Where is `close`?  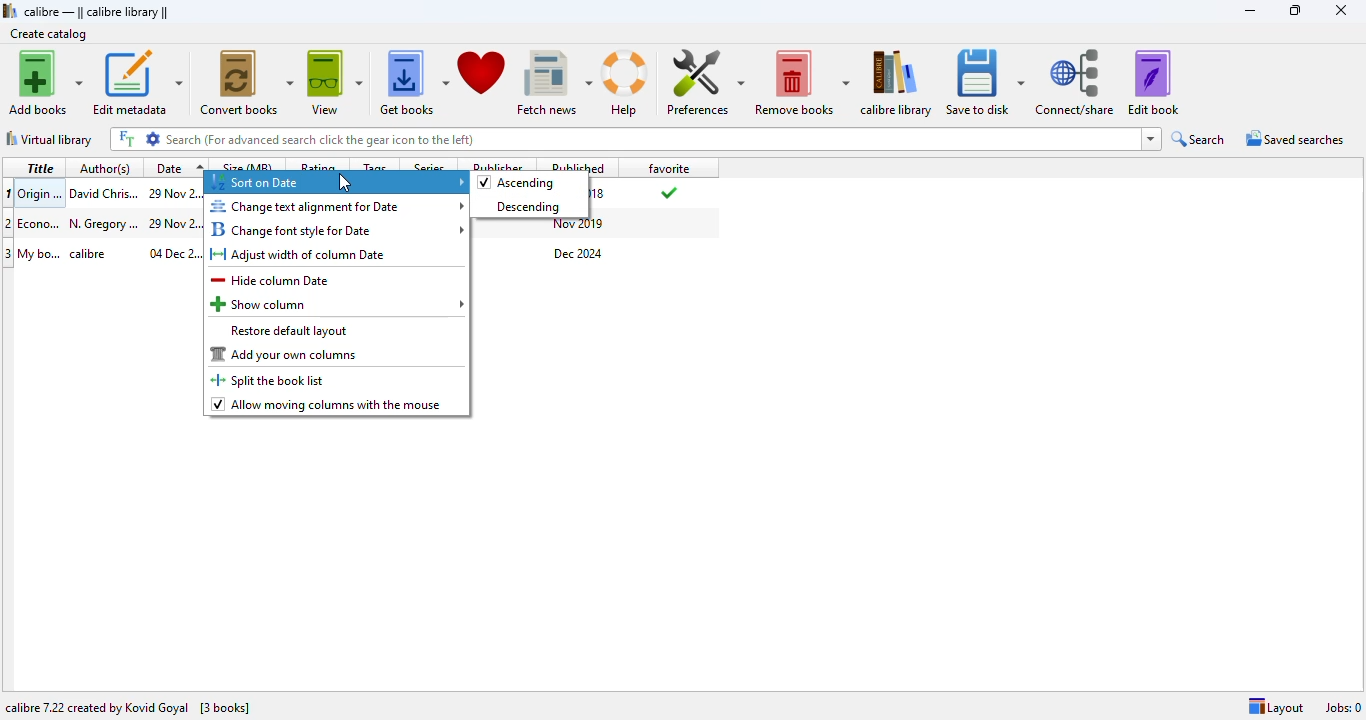 close is located at coordinates (1340, 10).